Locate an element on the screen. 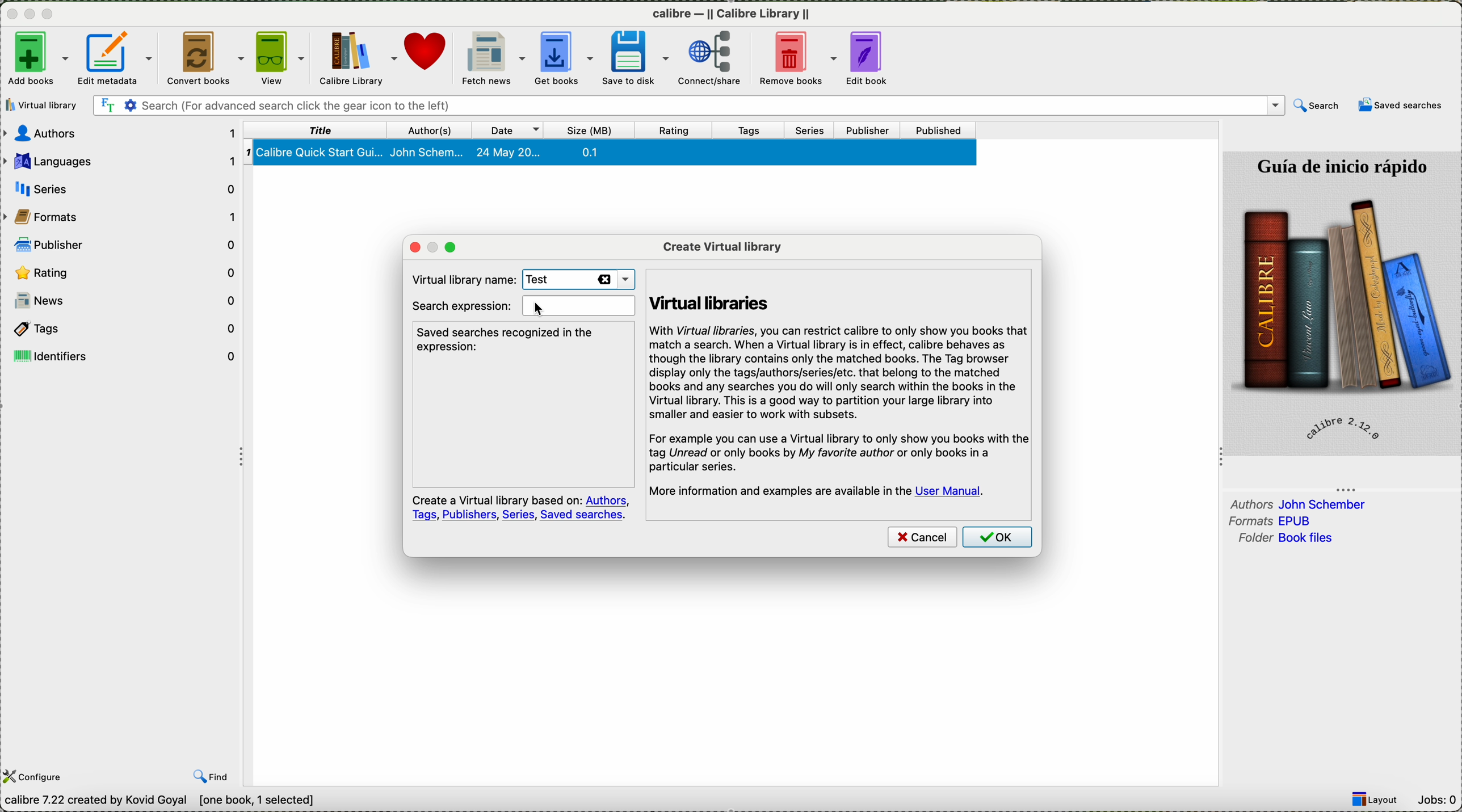 The height and width of the screenshot is (812, 1462). formats is located at coordinates (1275, 521).